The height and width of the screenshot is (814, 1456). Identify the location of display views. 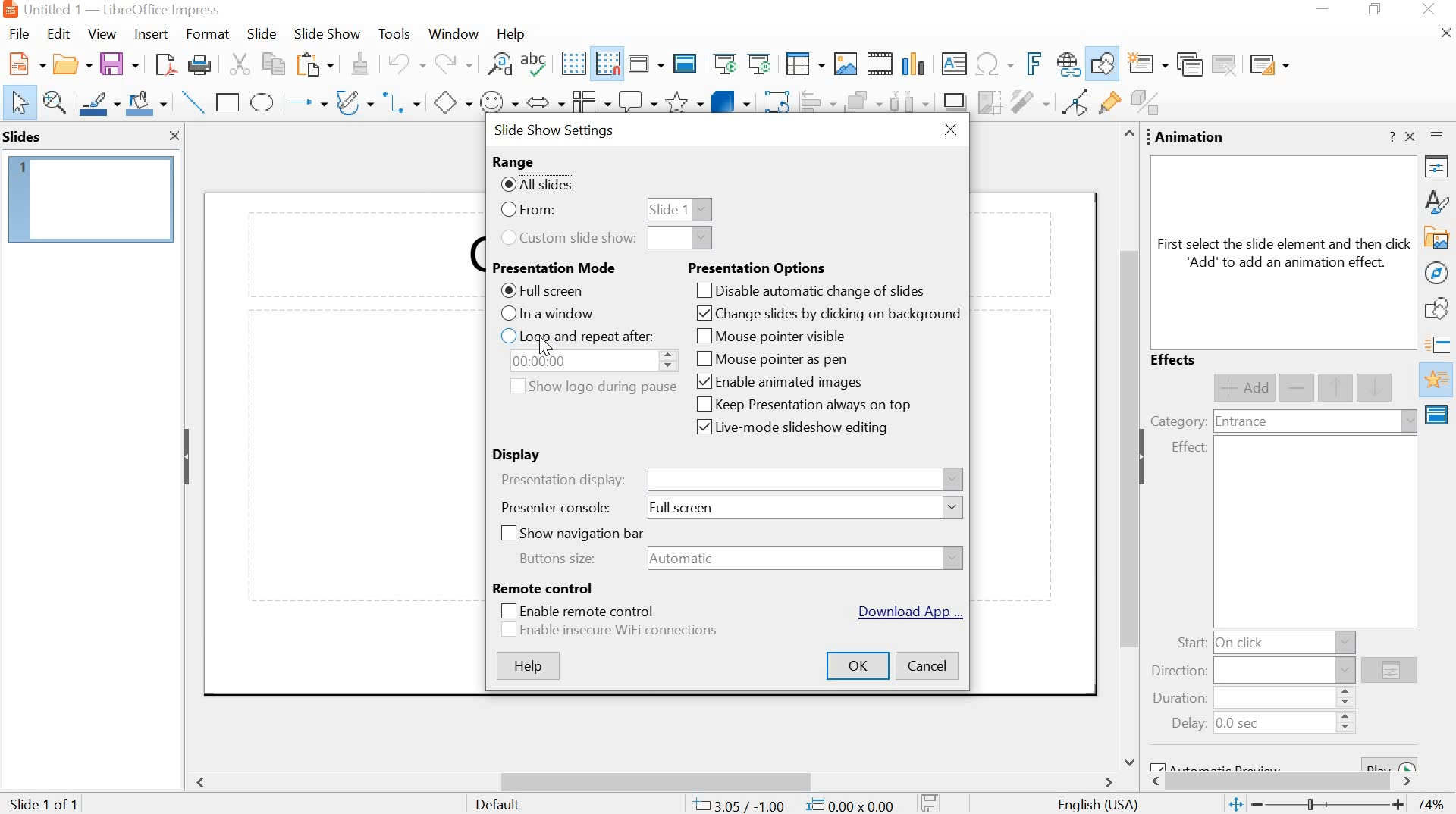
(645, 64).